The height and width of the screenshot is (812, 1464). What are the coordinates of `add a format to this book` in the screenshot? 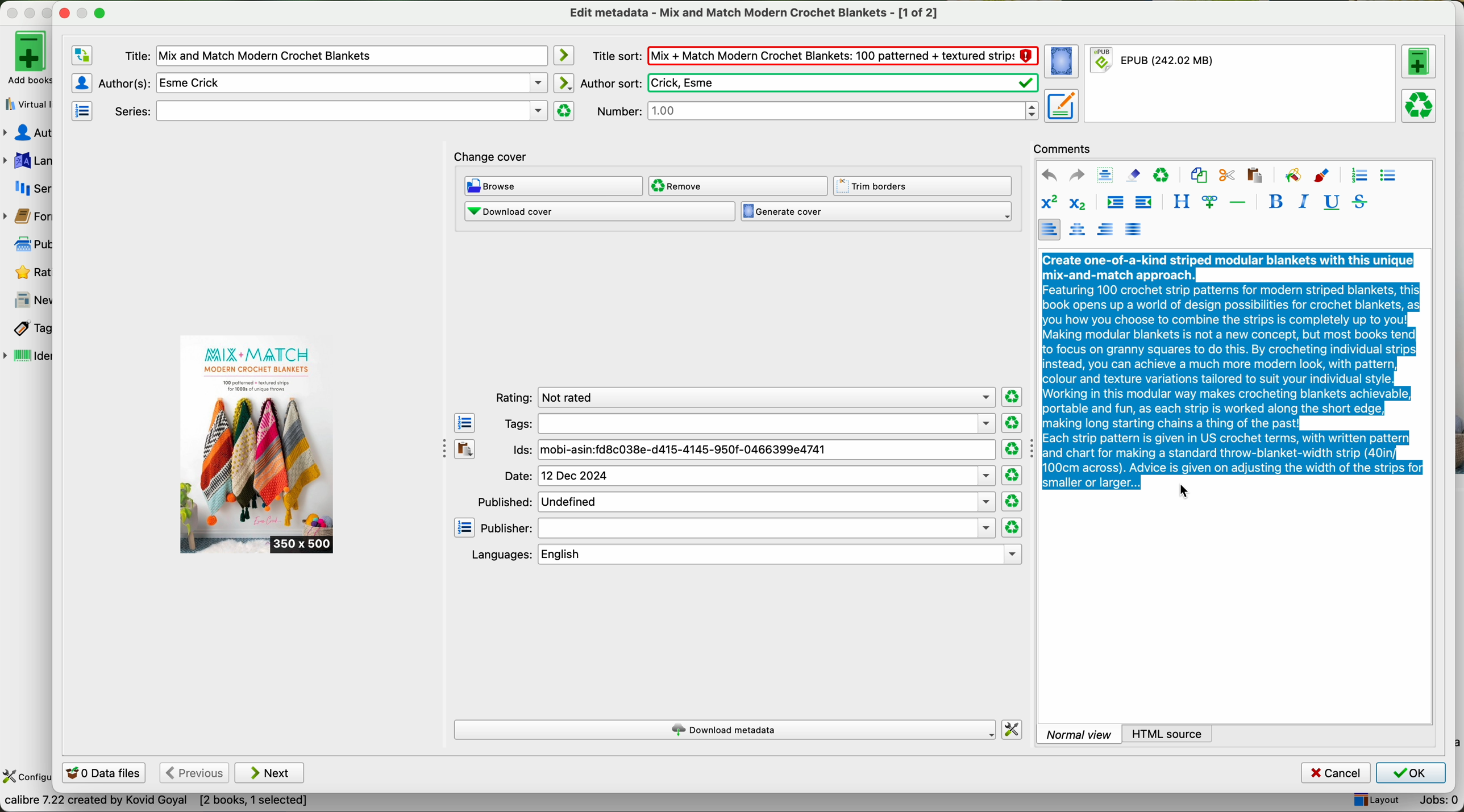 It's located at (1419, 61).